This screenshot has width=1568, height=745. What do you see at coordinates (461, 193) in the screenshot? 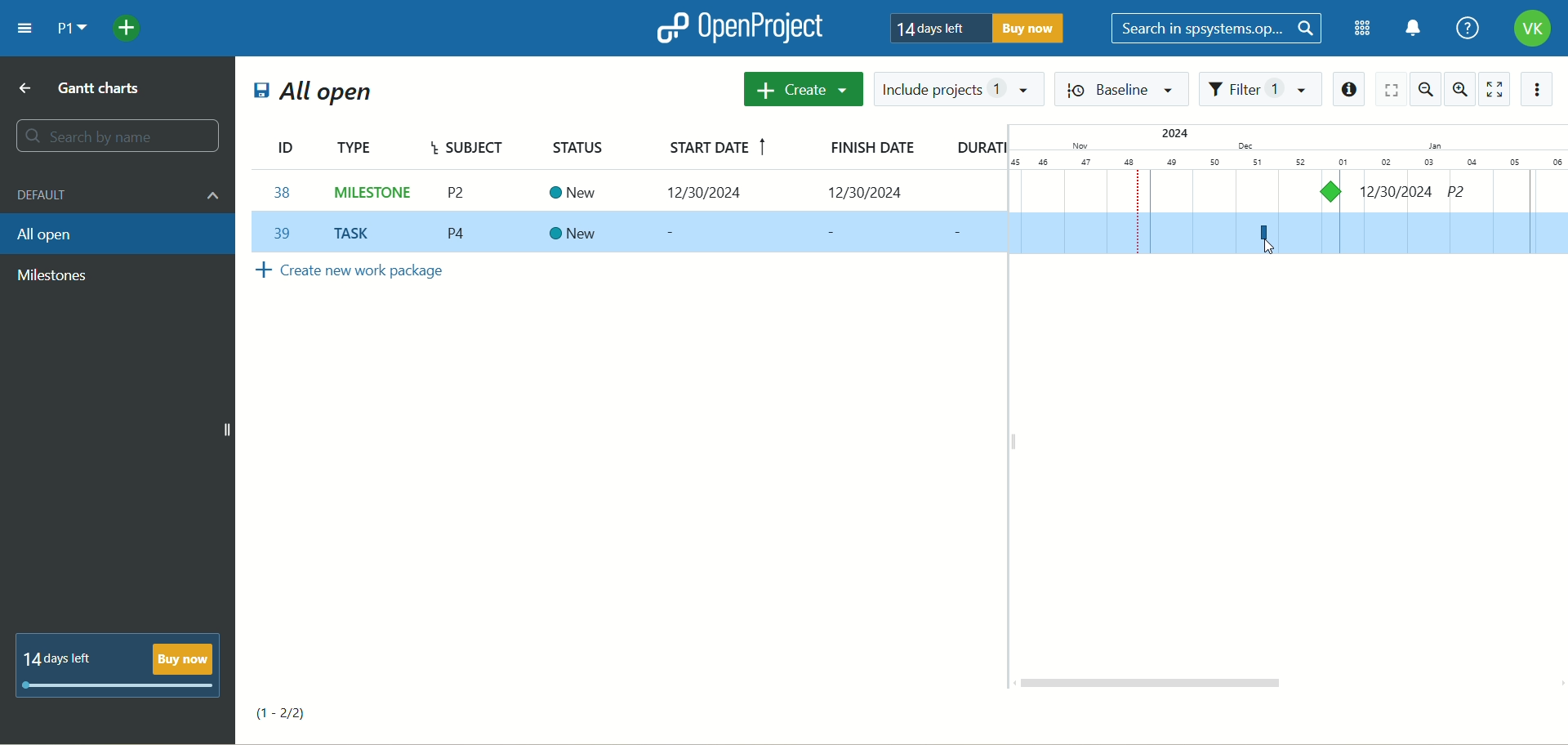
I see `P2` at bounding box center [461, 193].